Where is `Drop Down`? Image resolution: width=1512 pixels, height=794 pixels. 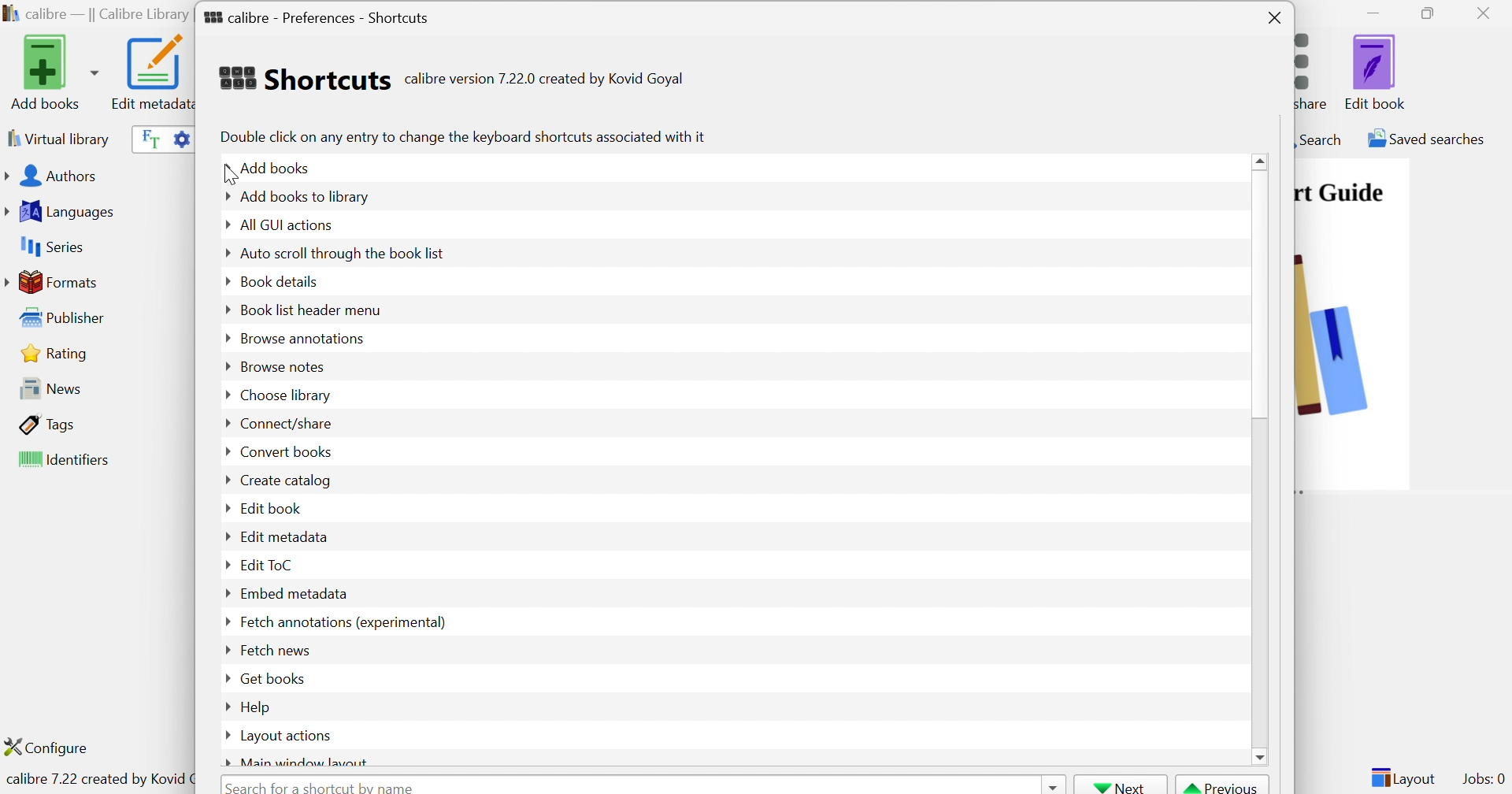
Drop Down is located at coordinates (223, 254).